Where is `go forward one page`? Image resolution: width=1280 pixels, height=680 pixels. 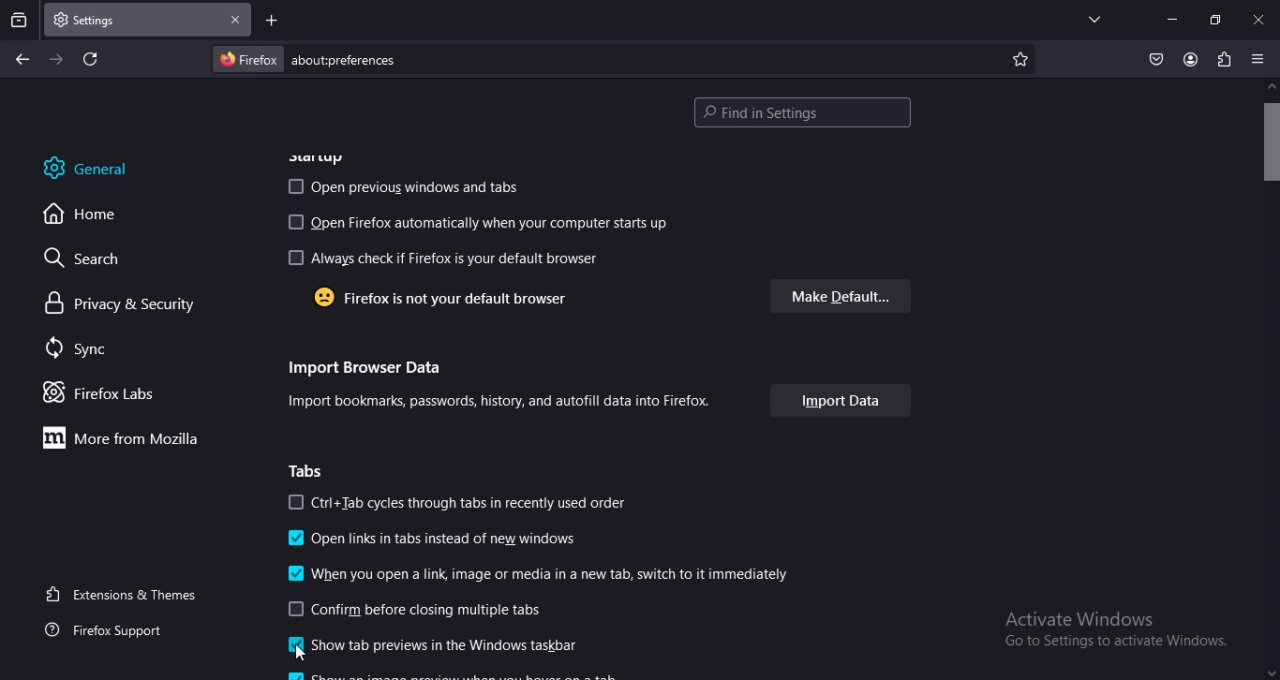 go forward one page is located at coordinates (56, 59).